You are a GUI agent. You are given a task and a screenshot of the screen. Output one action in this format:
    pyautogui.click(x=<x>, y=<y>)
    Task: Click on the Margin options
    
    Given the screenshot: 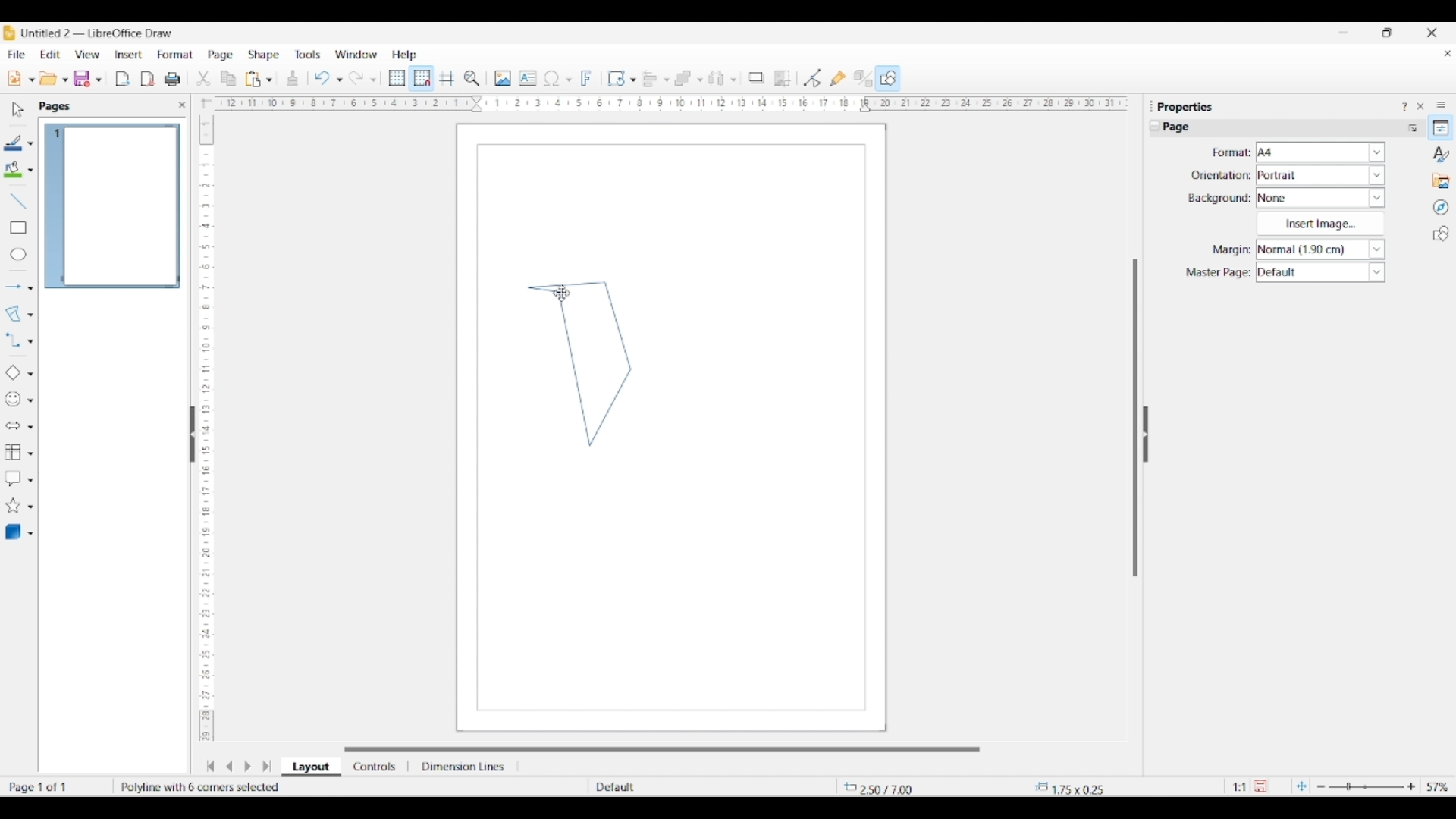 What is the action you would take?
    pyautogui.click(x=1320, y=249)
    